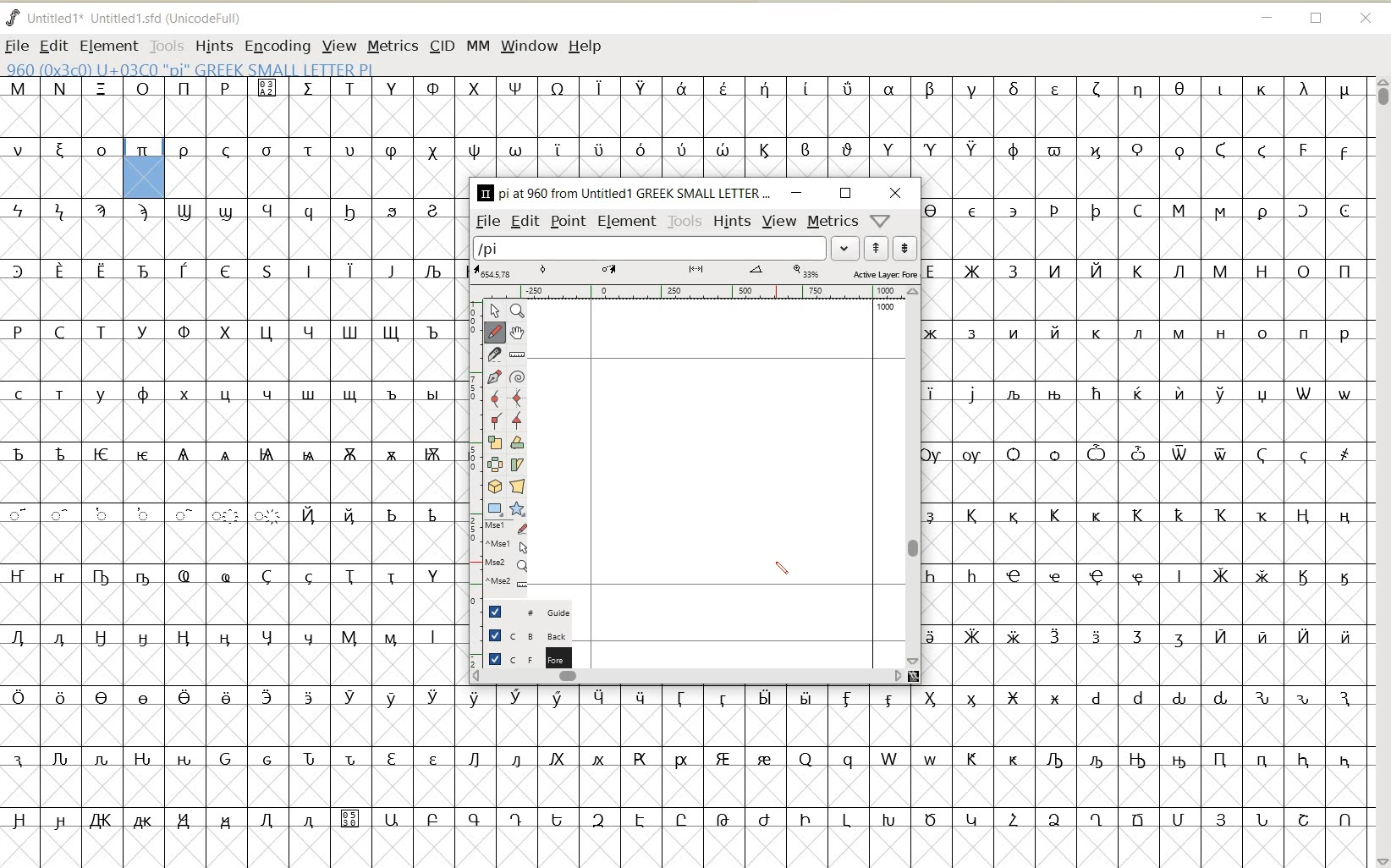  Describe the element at coordinates (587, 45) in the screenshot. I see `HELP` at that location.